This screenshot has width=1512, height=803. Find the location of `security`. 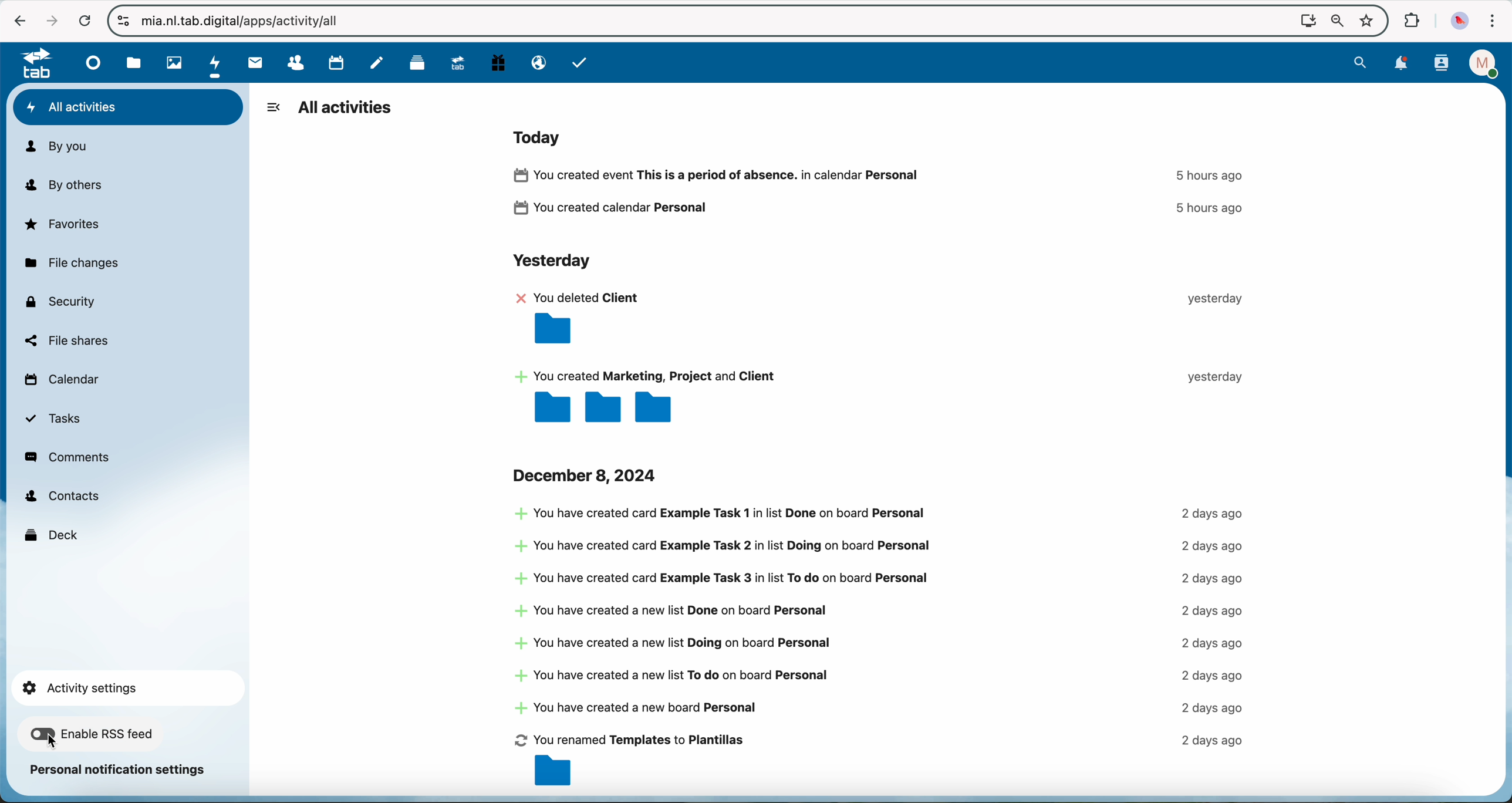

security is located at coordinates (59, 301).